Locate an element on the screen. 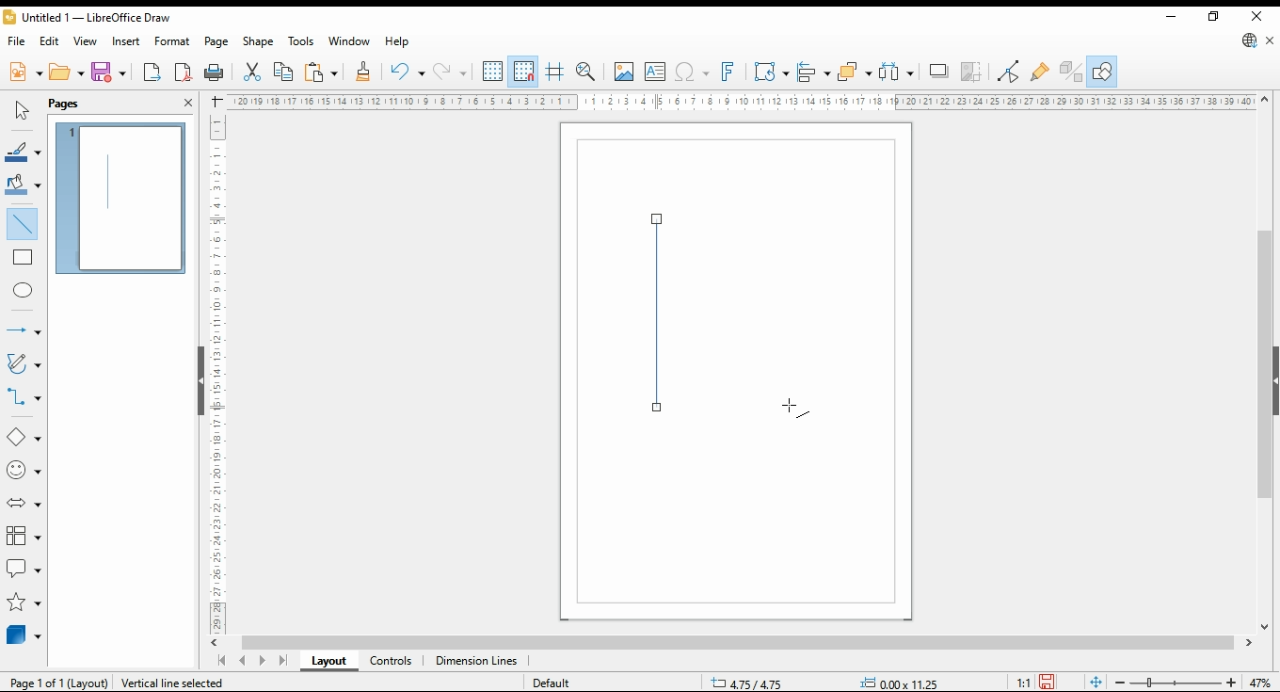  stars and banners is located at coordinates (22, 603).